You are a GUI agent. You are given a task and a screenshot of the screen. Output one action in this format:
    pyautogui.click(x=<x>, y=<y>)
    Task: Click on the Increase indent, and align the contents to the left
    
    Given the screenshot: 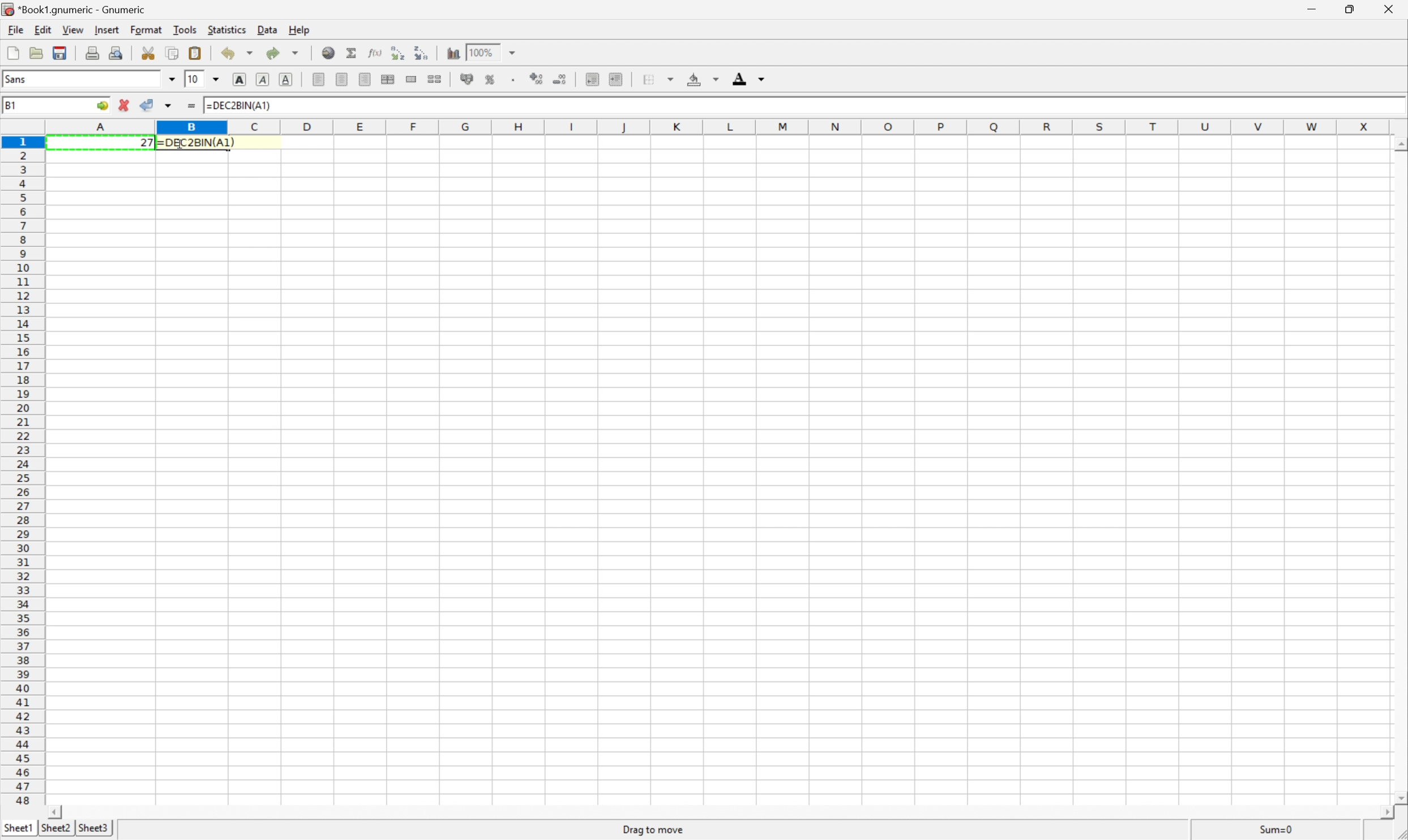 What is the action you would take?
    pyautogui.click(x=615, y=78)
    